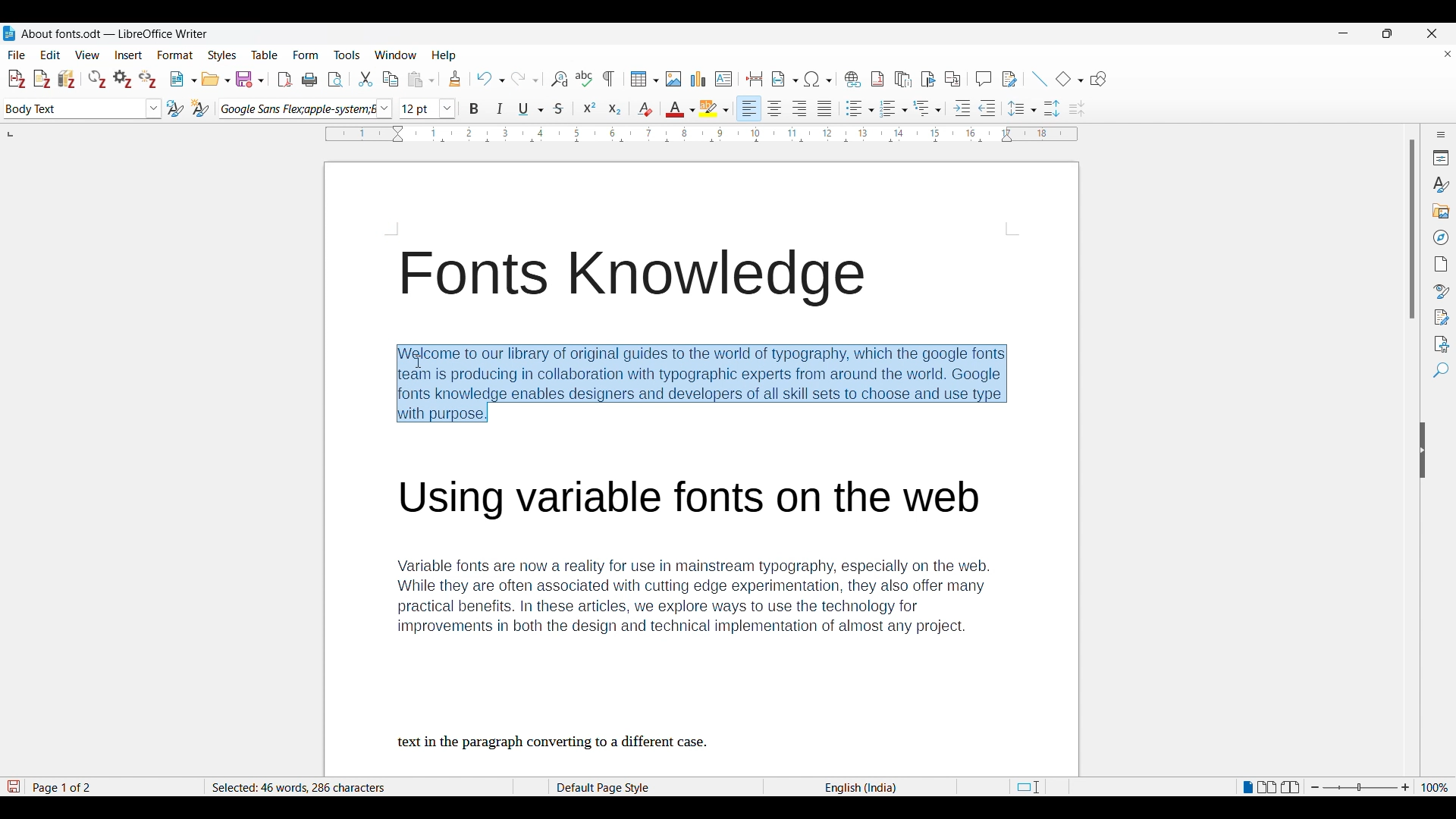 The image size is (1456, 819). Describe the element at coordinates (559, 79) in the screenshot. I see `Find and replace` at that location.